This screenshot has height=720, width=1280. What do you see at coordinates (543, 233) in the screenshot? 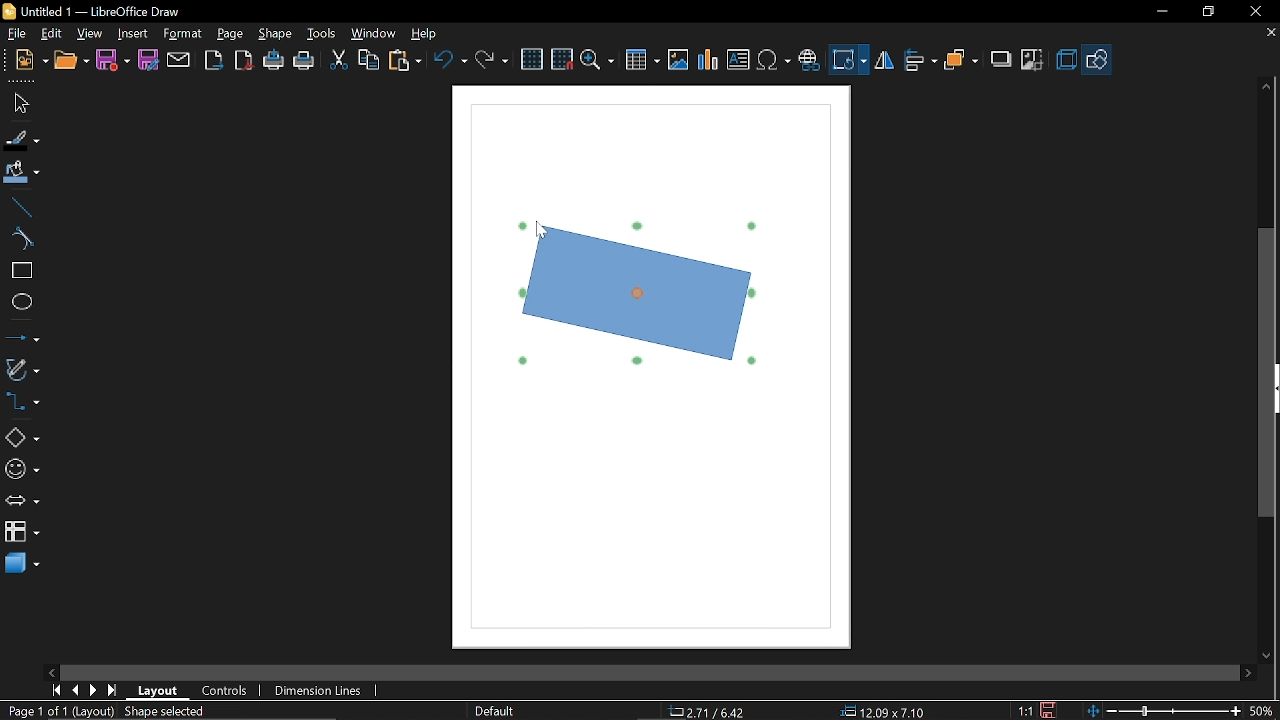
I see `Cursor` at bounding box center [543, 233].